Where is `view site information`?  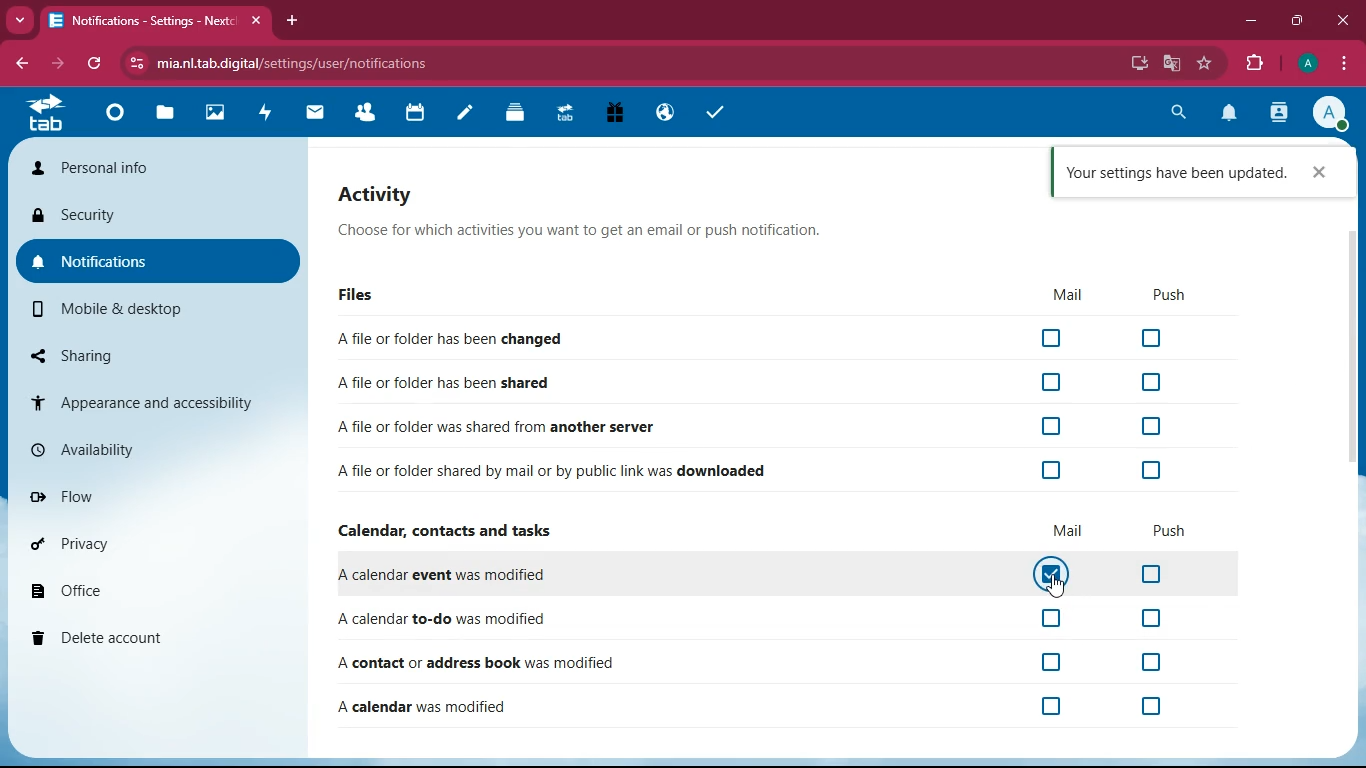
view site information is located at coordinates (134, 65).